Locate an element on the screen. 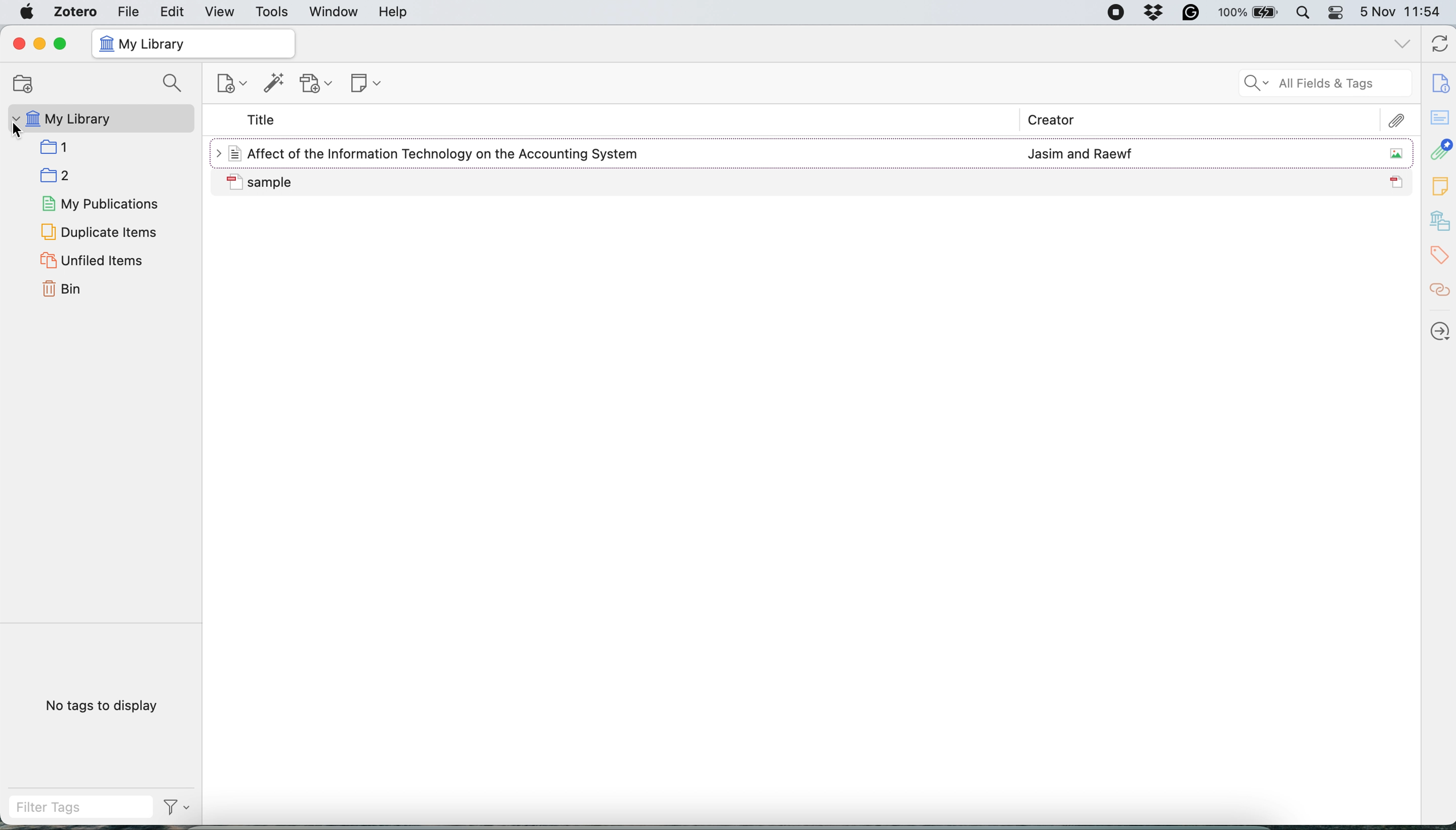  my library is located at coordinates (192, 43).